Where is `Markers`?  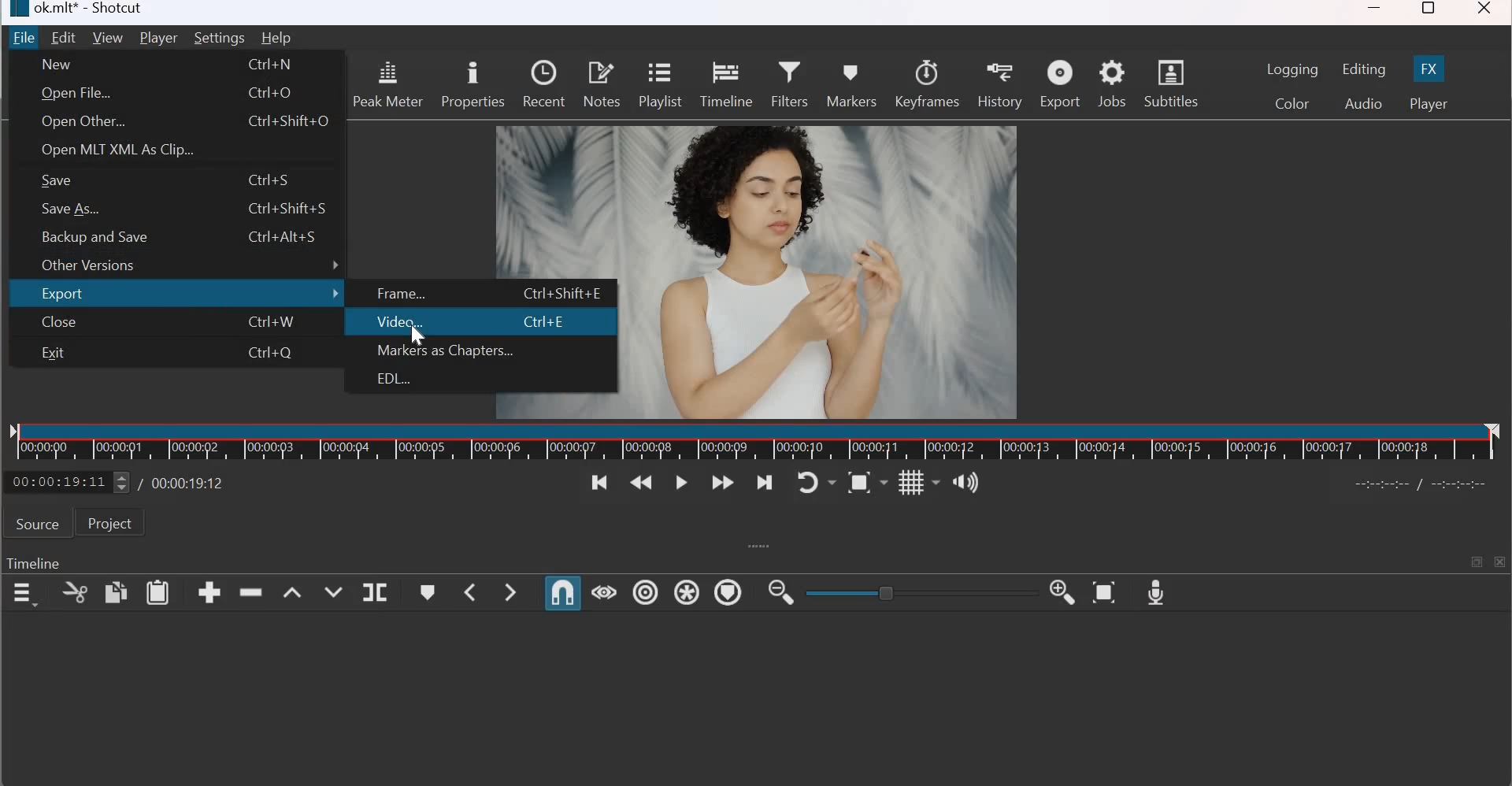 Markers is located at coordinates (850, 81).